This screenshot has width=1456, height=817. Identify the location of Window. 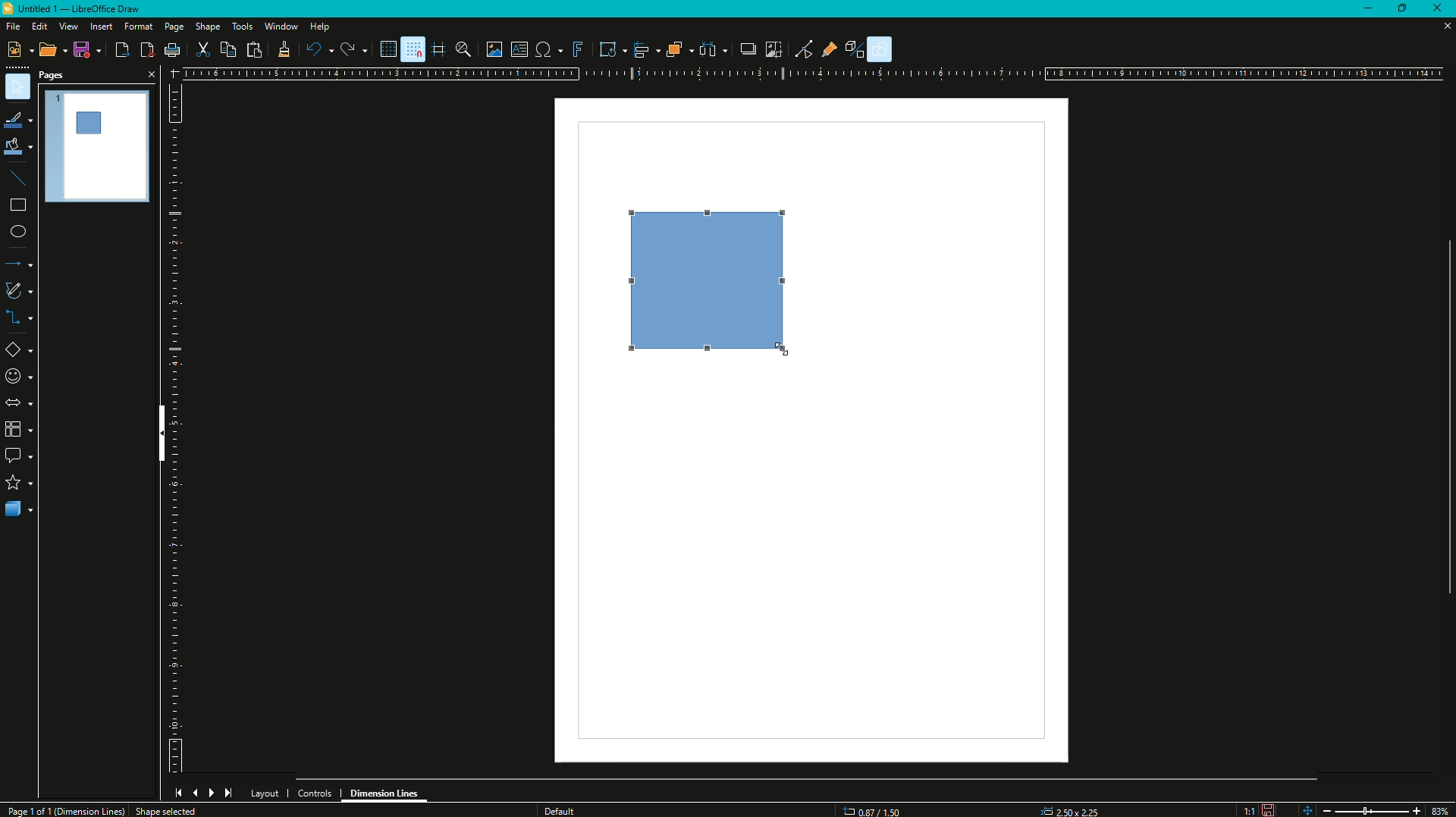
(279, 27).